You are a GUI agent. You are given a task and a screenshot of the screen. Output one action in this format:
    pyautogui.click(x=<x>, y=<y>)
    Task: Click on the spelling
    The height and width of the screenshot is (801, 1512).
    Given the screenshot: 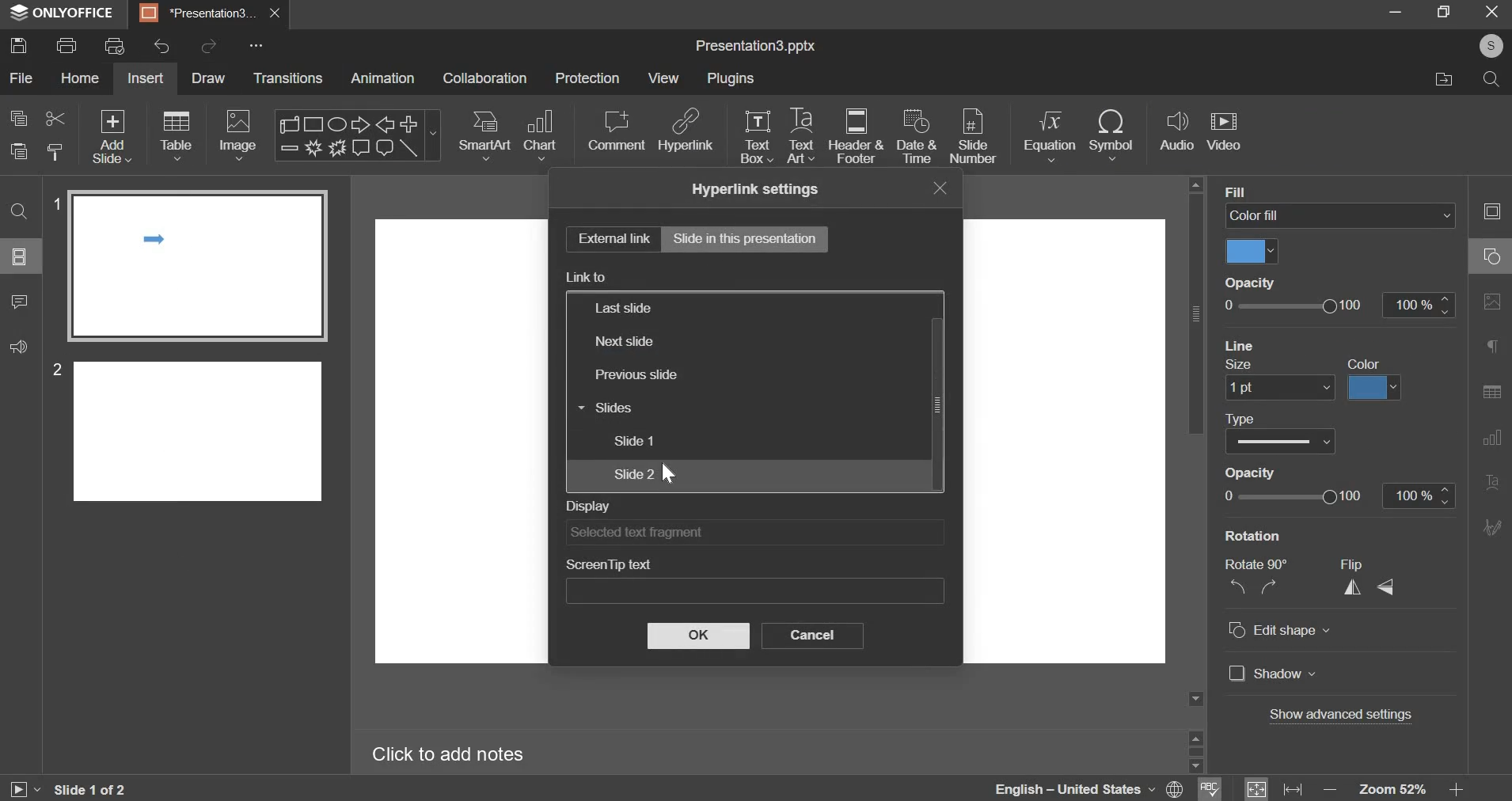 What is the action you would take?
    pyautogui.click(x=1210, y=788)
    